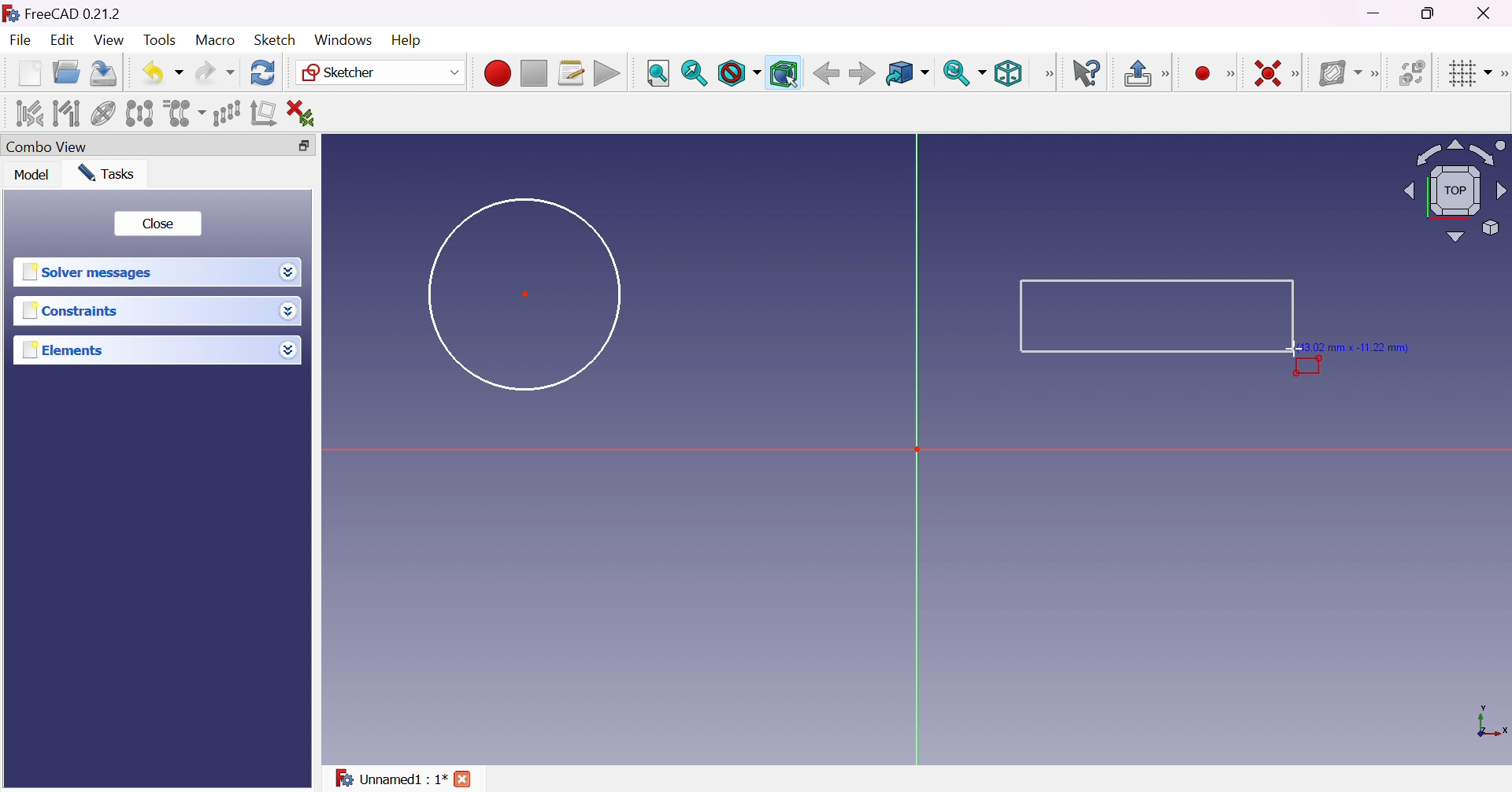 This screenshot has width=1512, height=792. I want to click on Draw style, so click(739, 74).